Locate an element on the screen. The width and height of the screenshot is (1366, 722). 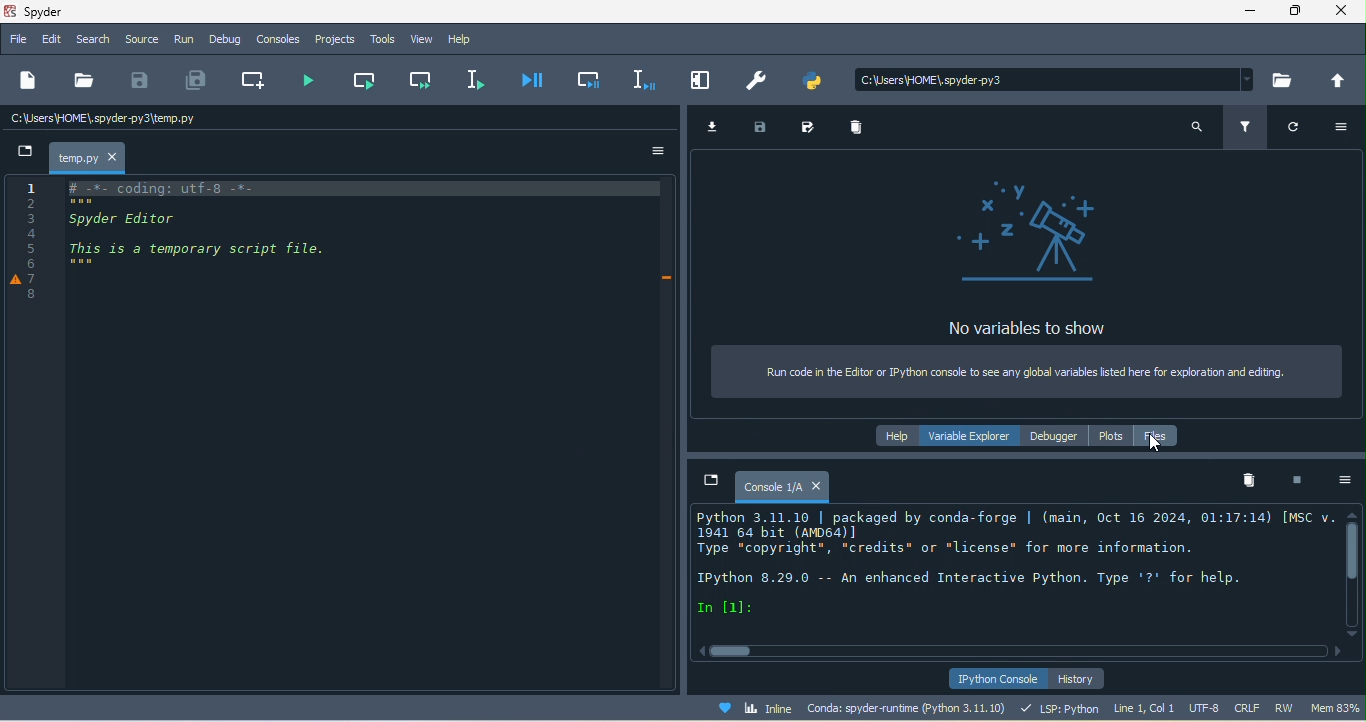
conda spyder runtime is located at coordinates (857, 708).